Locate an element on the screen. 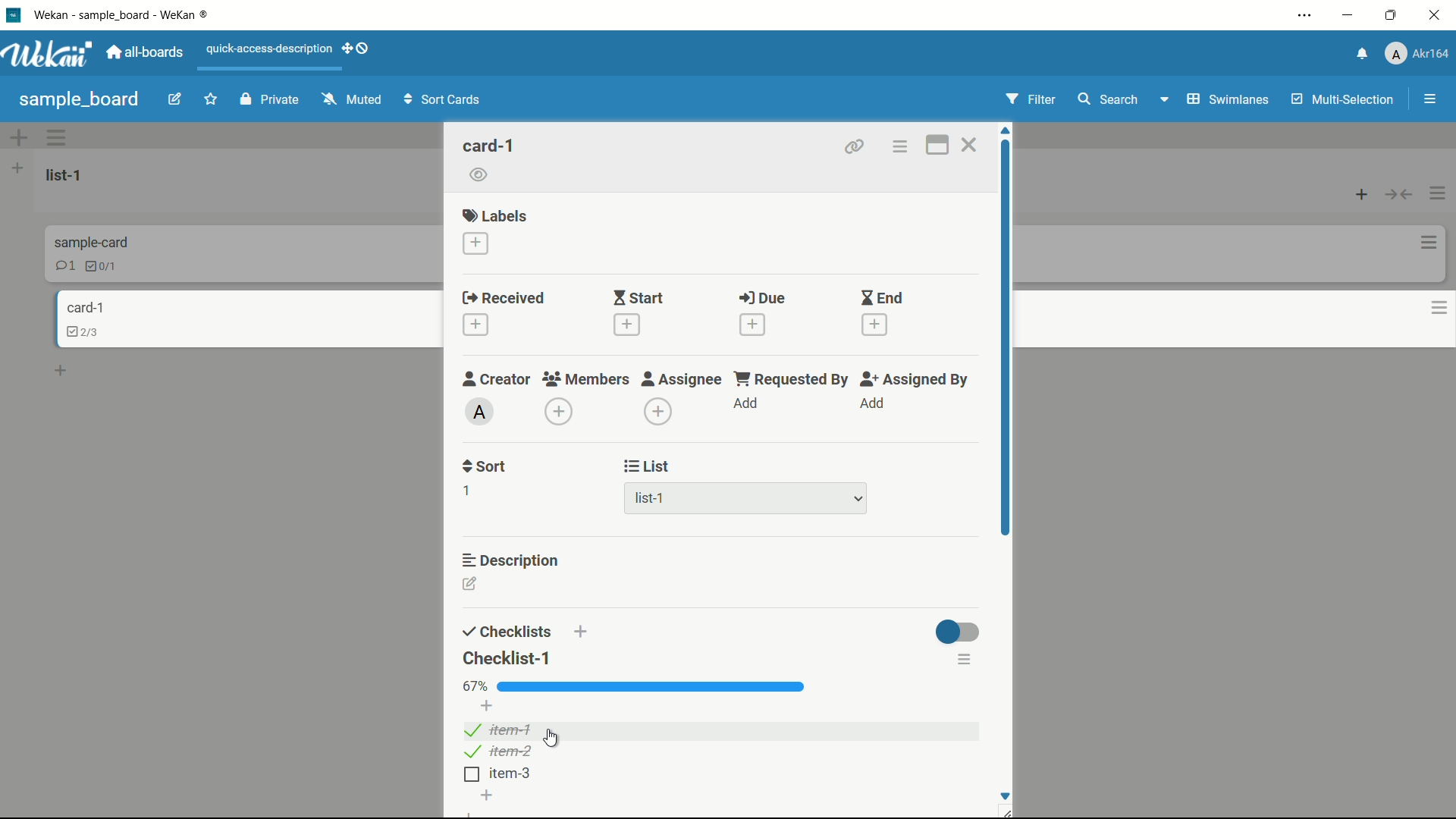 The image size is (1456, 819). dropdown is located at coordinates (858, 497).